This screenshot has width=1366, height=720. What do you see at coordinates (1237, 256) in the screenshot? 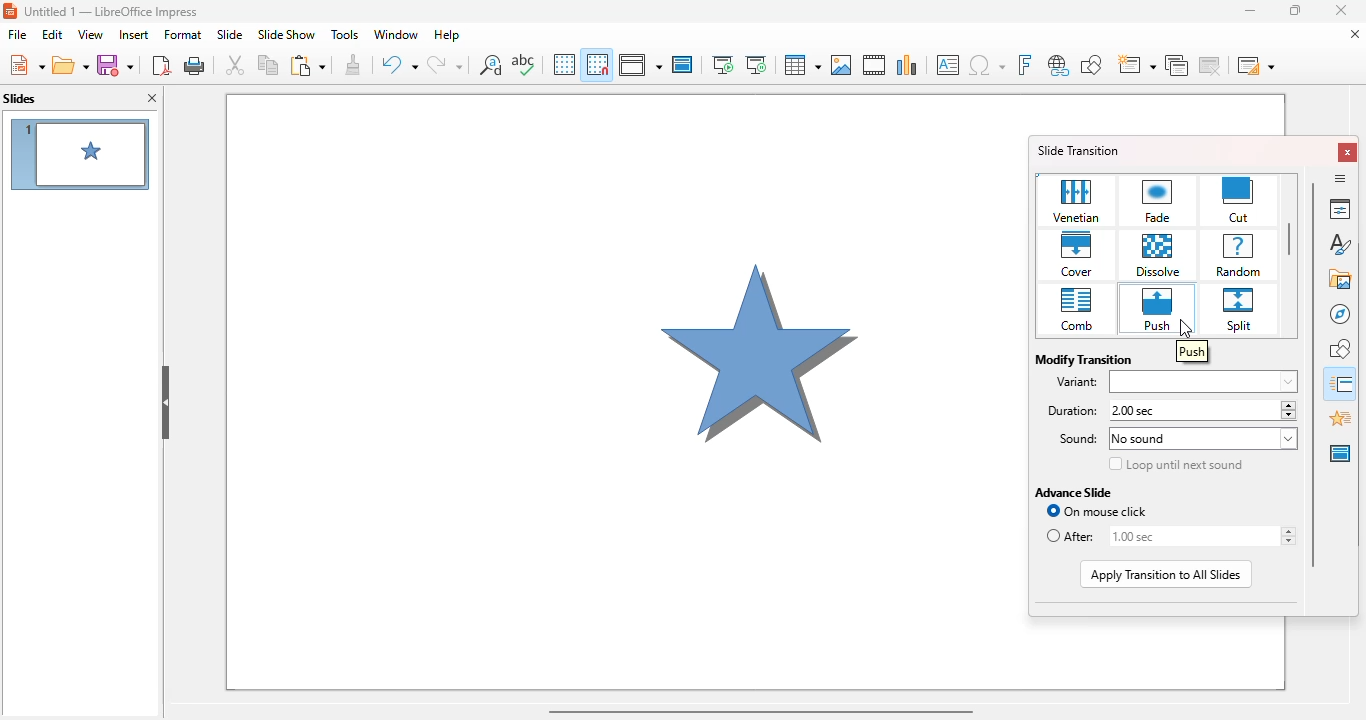
I see `random` at bounding box center [1237, 256].